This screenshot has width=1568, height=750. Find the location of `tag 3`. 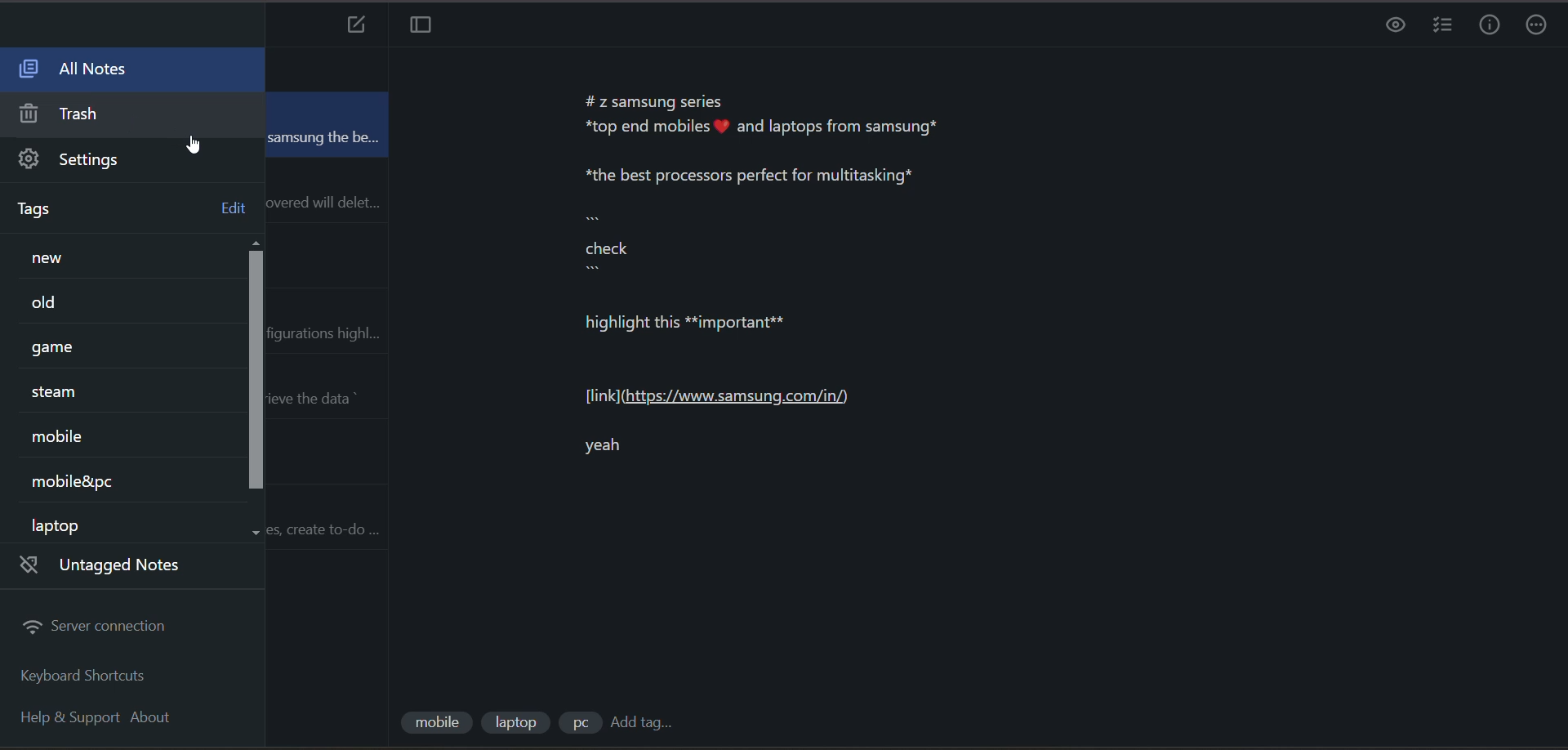

tag 3 is located at coordinates (579, 724).